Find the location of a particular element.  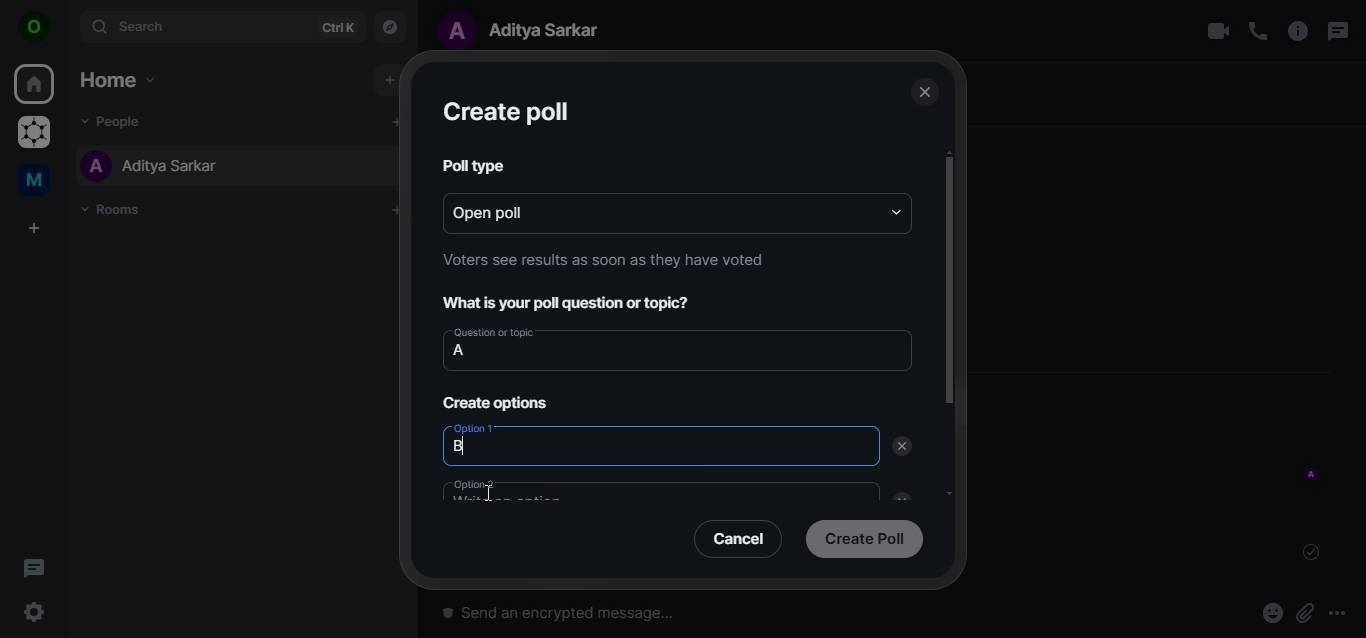

Option 1 is located at coordinates (477, 427).